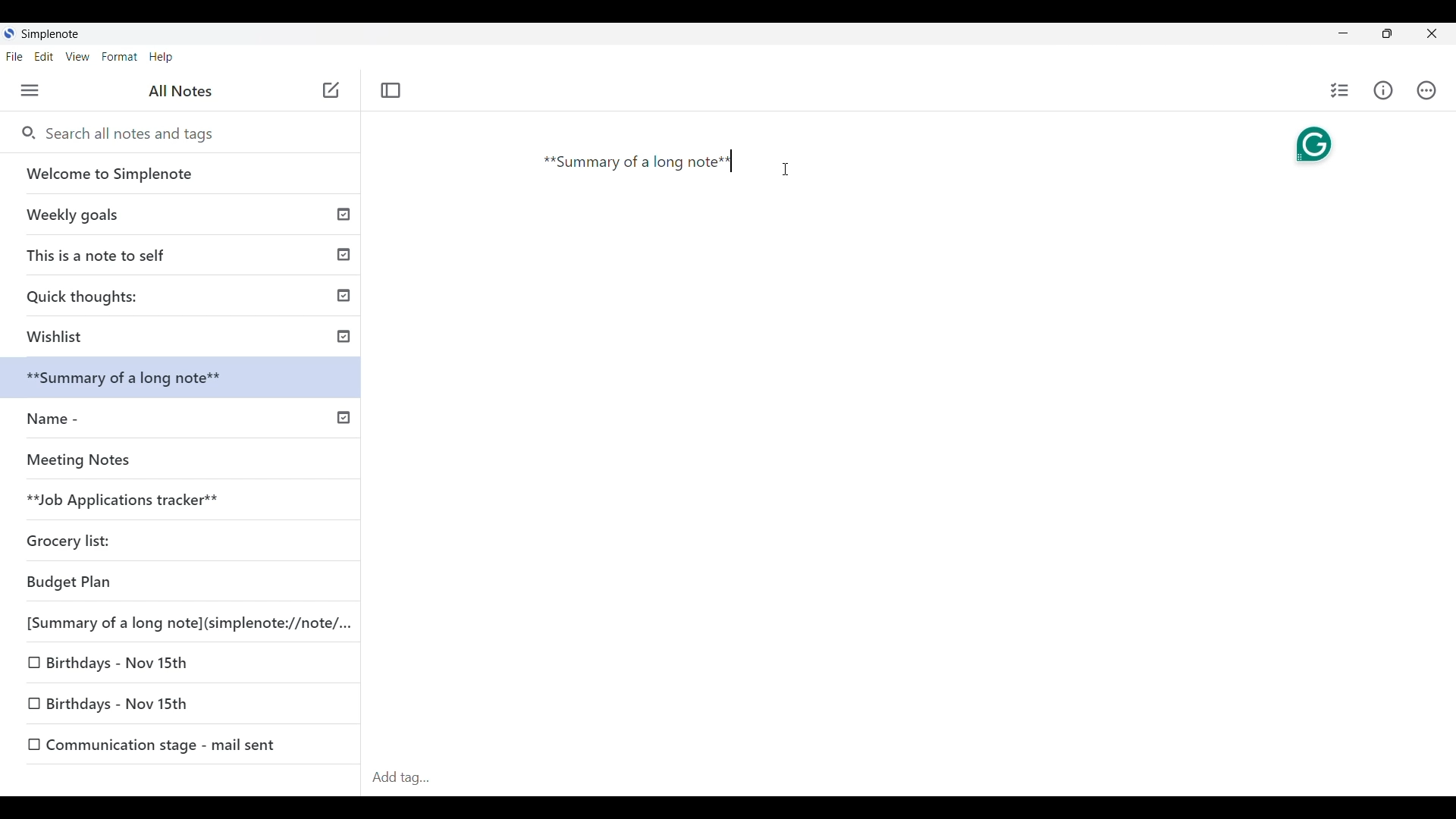 Image resolution: width=1456 pixels, height=819 pixels. What do you see at coordinates (1307, 146) in the screenshot?
I see `Grammarly extension` at bounding box center [1307, 146].